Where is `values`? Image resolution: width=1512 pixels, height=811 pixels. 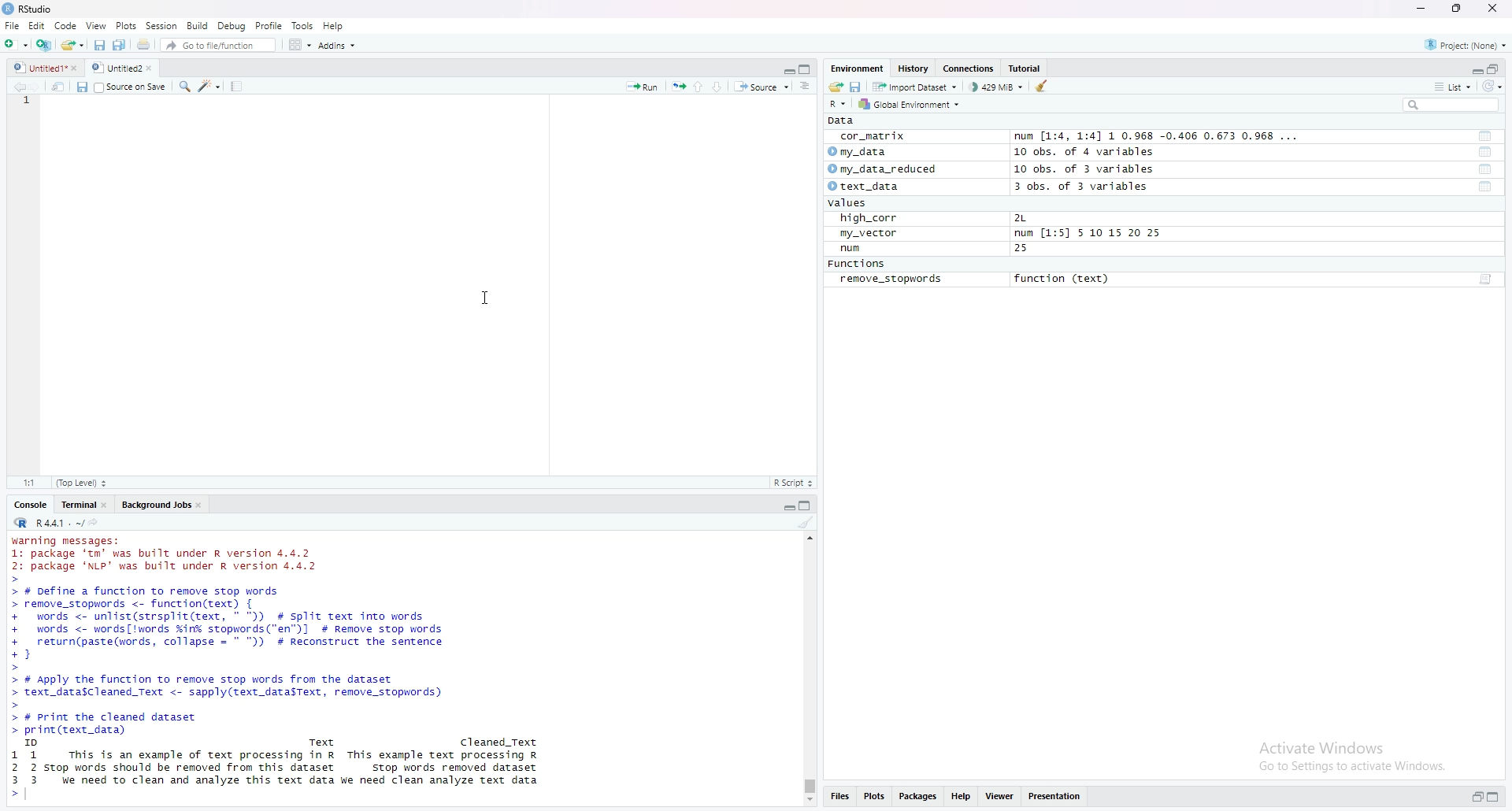 values is located at coordinates (847, 203).